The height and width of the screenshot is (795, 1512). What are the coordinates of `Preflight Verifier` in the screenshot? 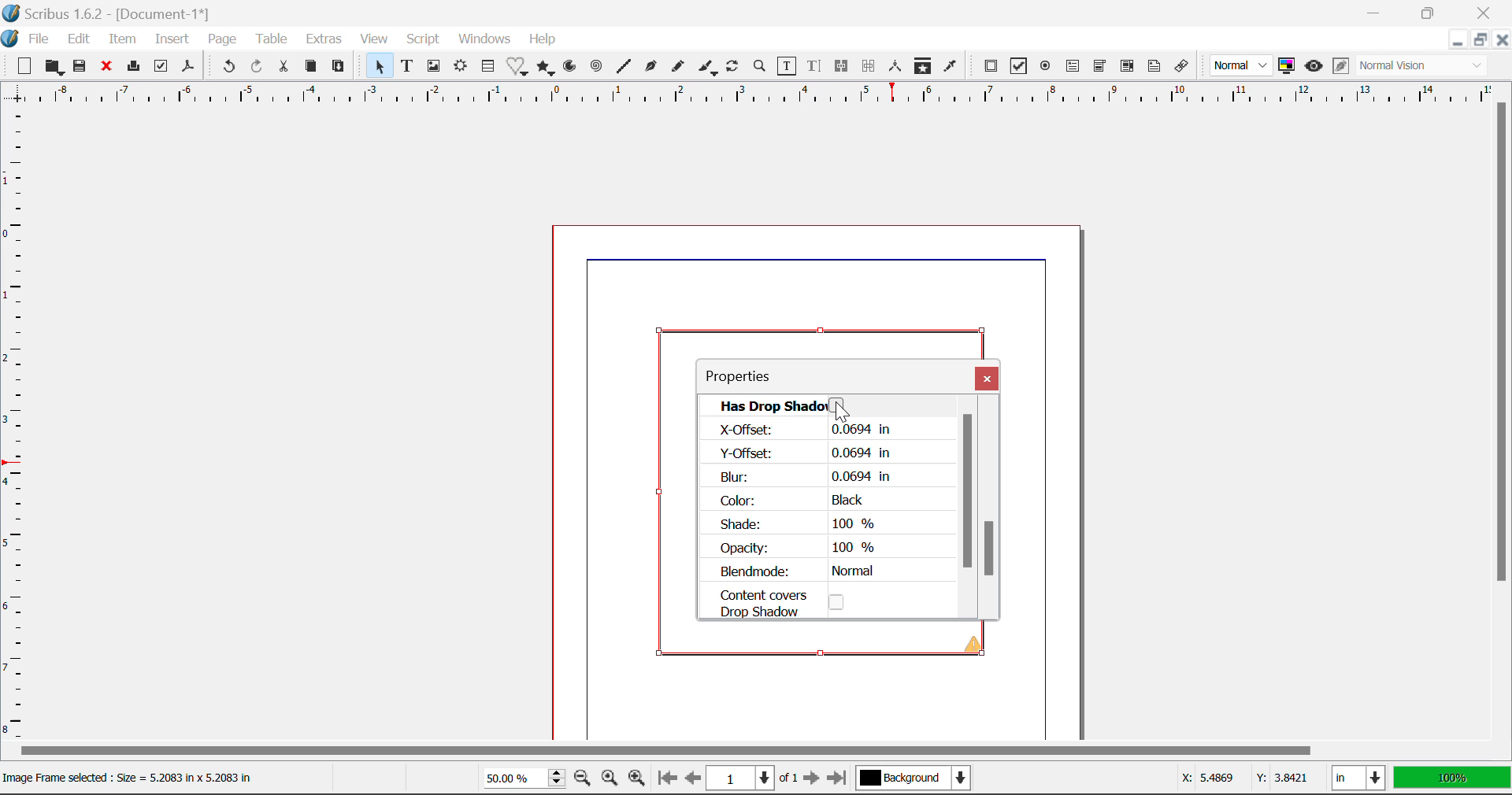 It's located at (161, 68).